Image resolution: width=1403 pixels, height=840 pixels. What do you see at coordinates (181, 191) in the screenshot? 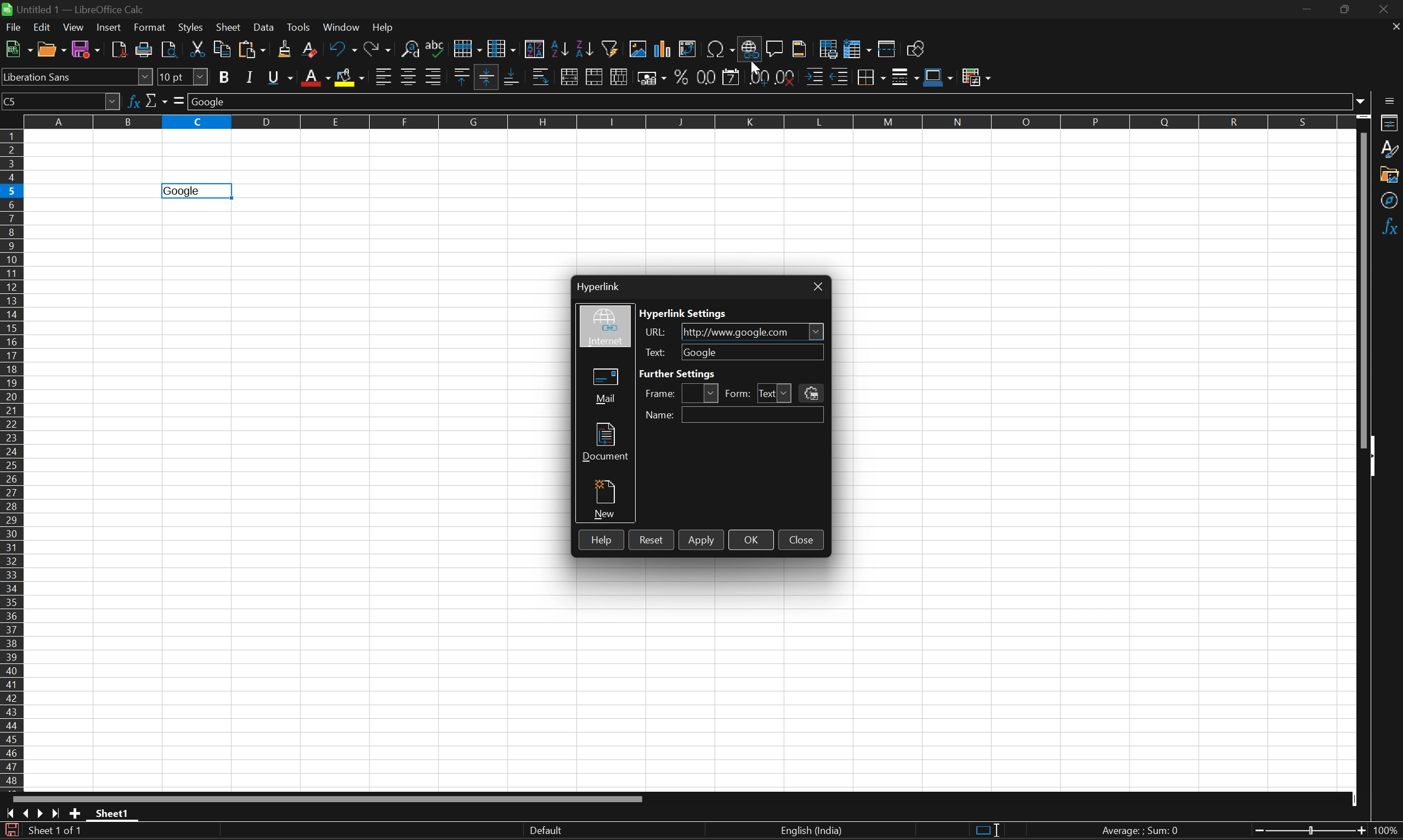
I see `Goolge` at bounding box center [181, 191].